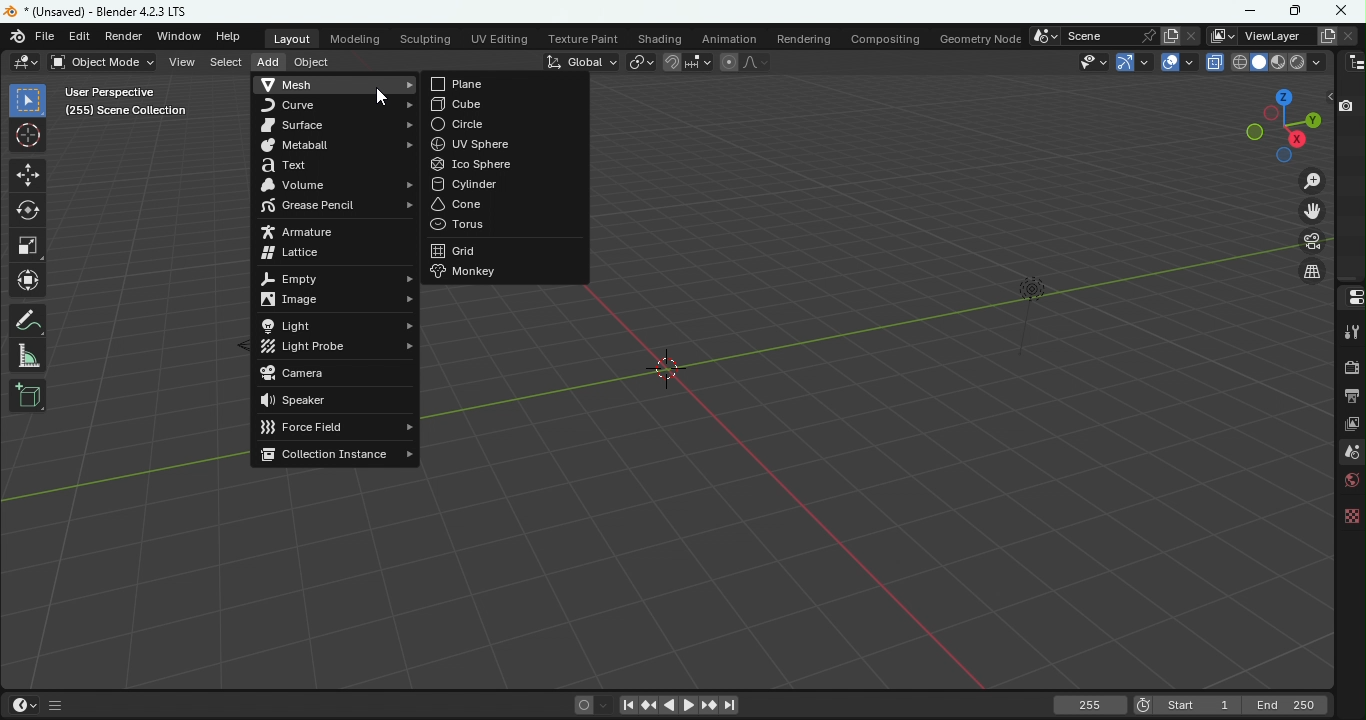  I want to click on Transformation orientation, so click(580, 61).